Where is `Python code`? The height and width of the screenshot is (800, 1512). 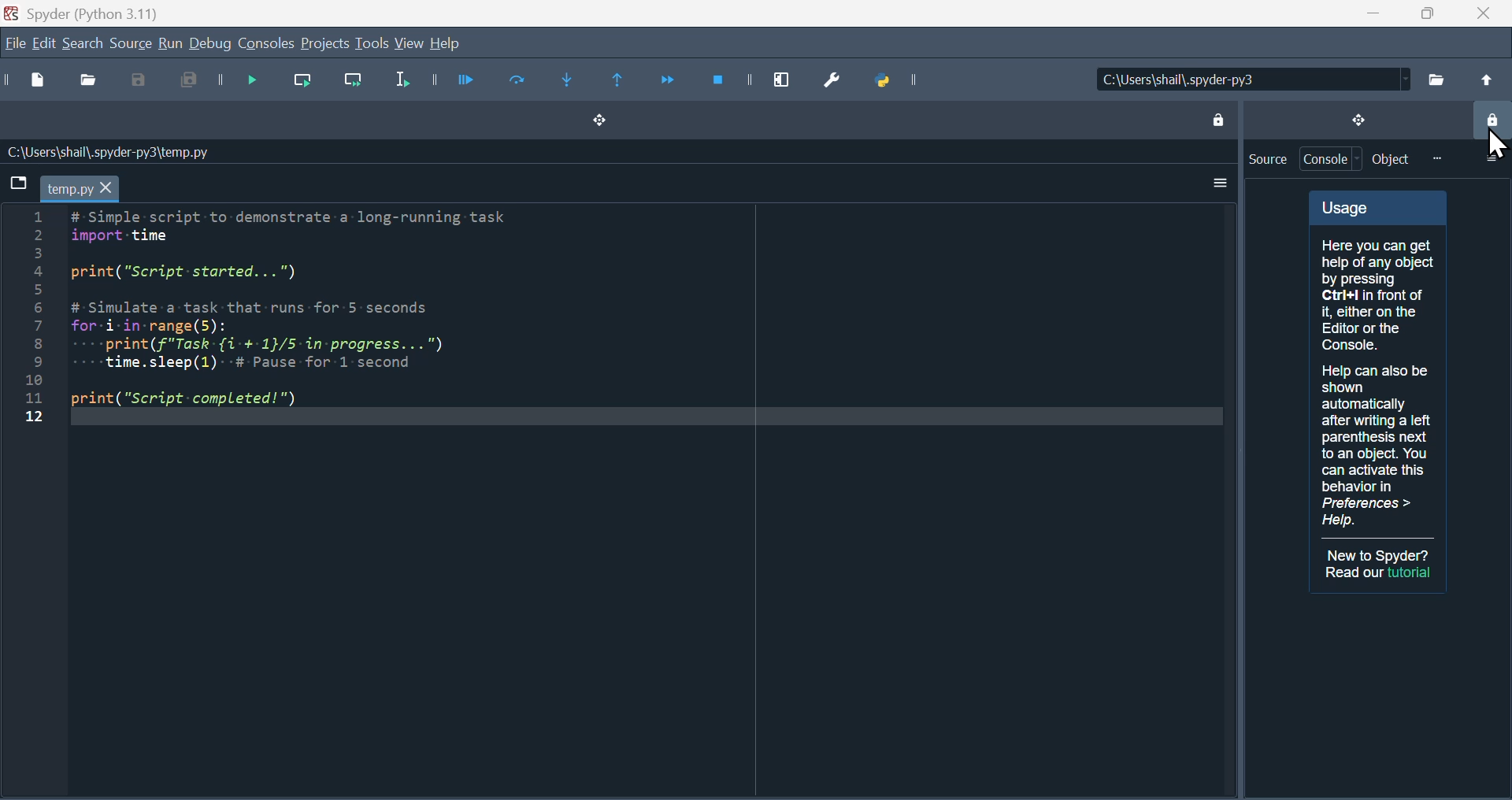 Python code is located at coordinates (308, 310).